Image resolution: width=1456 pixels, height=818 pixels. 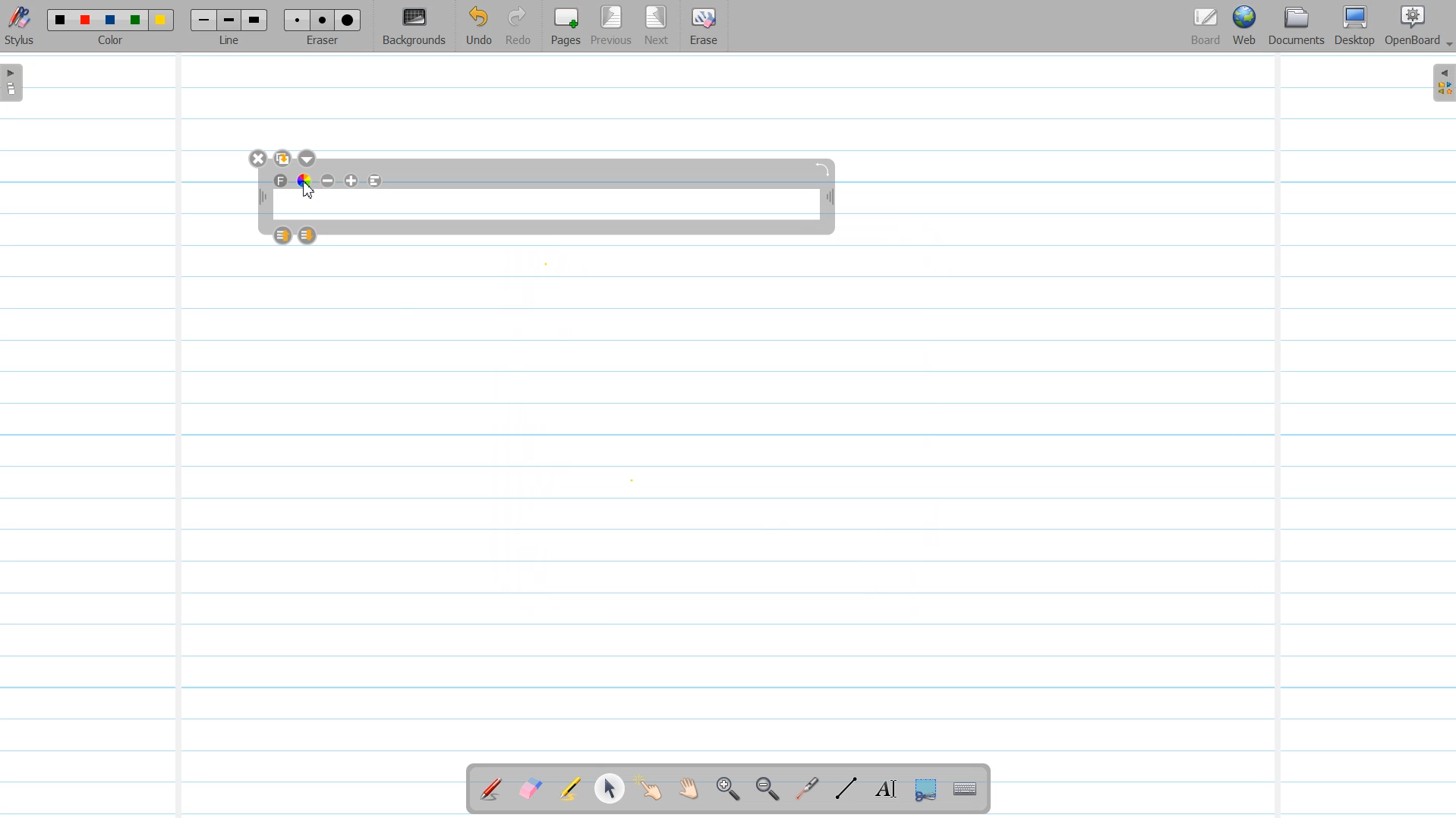 I want to click on Drop down box, so click(x=309, y=159).